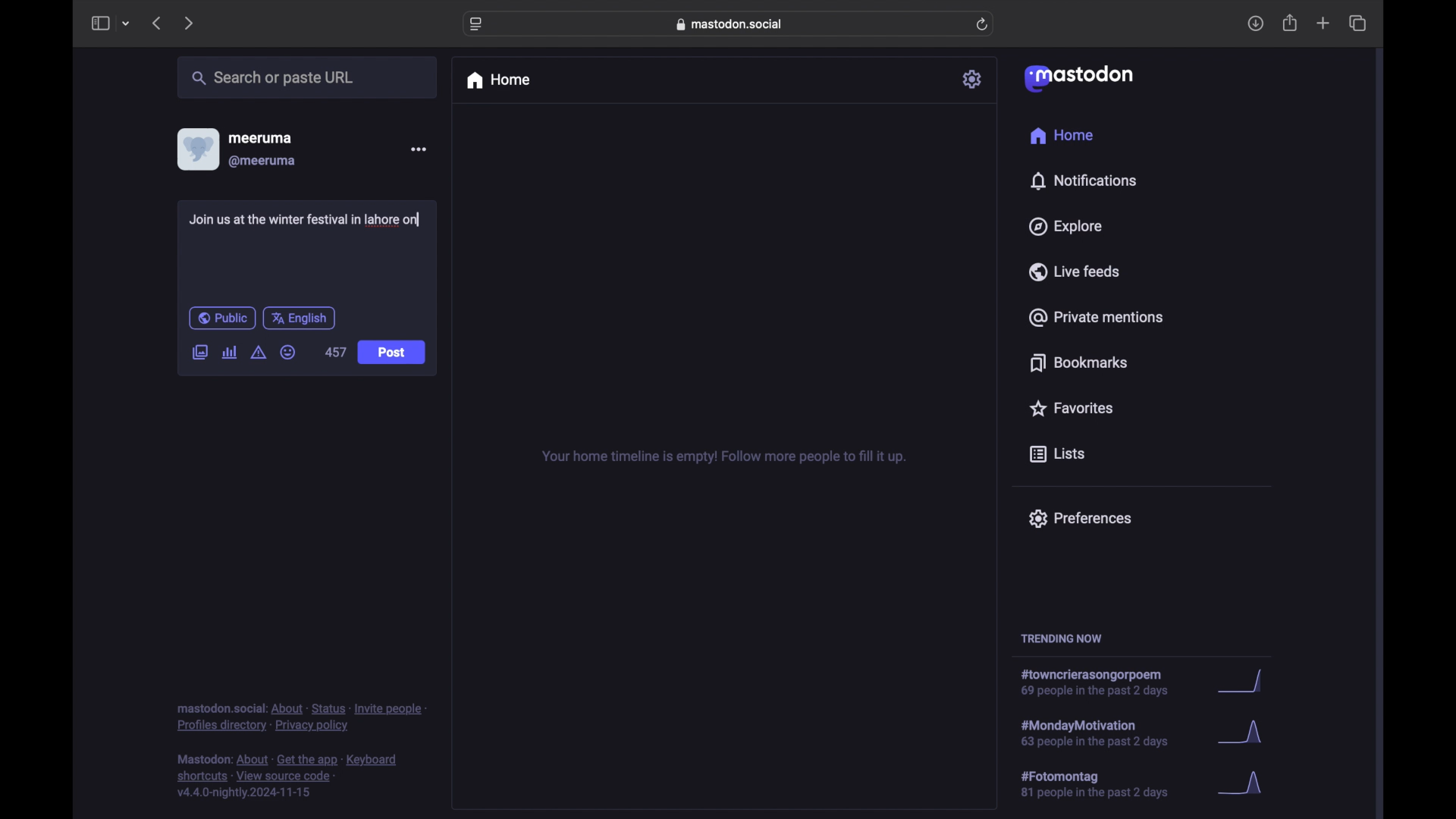 This screenshot has height=819, width=1456. I want to click on Post, so click(393, 353).